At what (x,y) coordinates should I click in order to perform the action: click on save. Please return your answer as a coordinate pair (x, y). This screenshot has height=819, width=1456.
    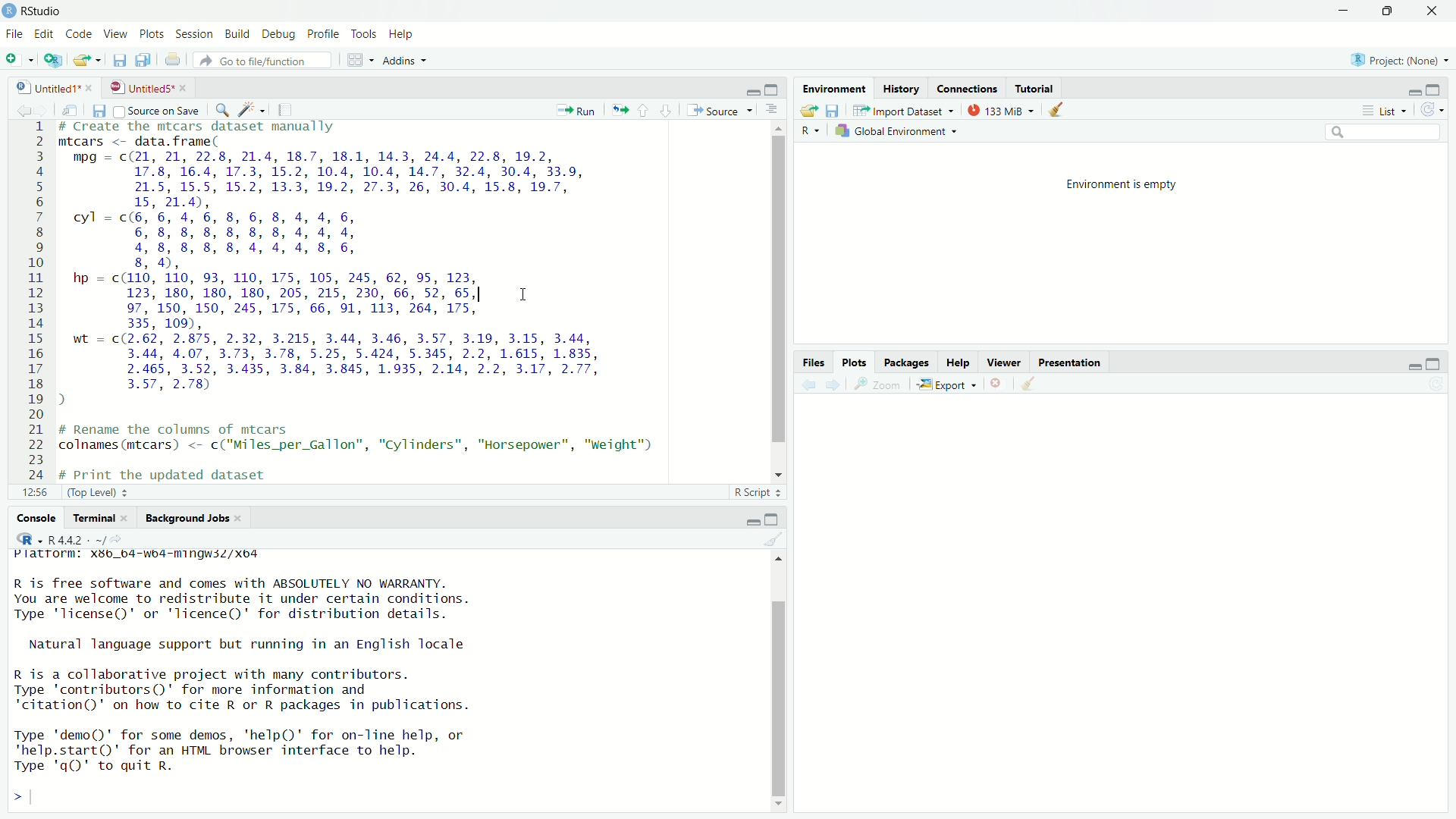
    Looking at the image, I should click on (98, 109).